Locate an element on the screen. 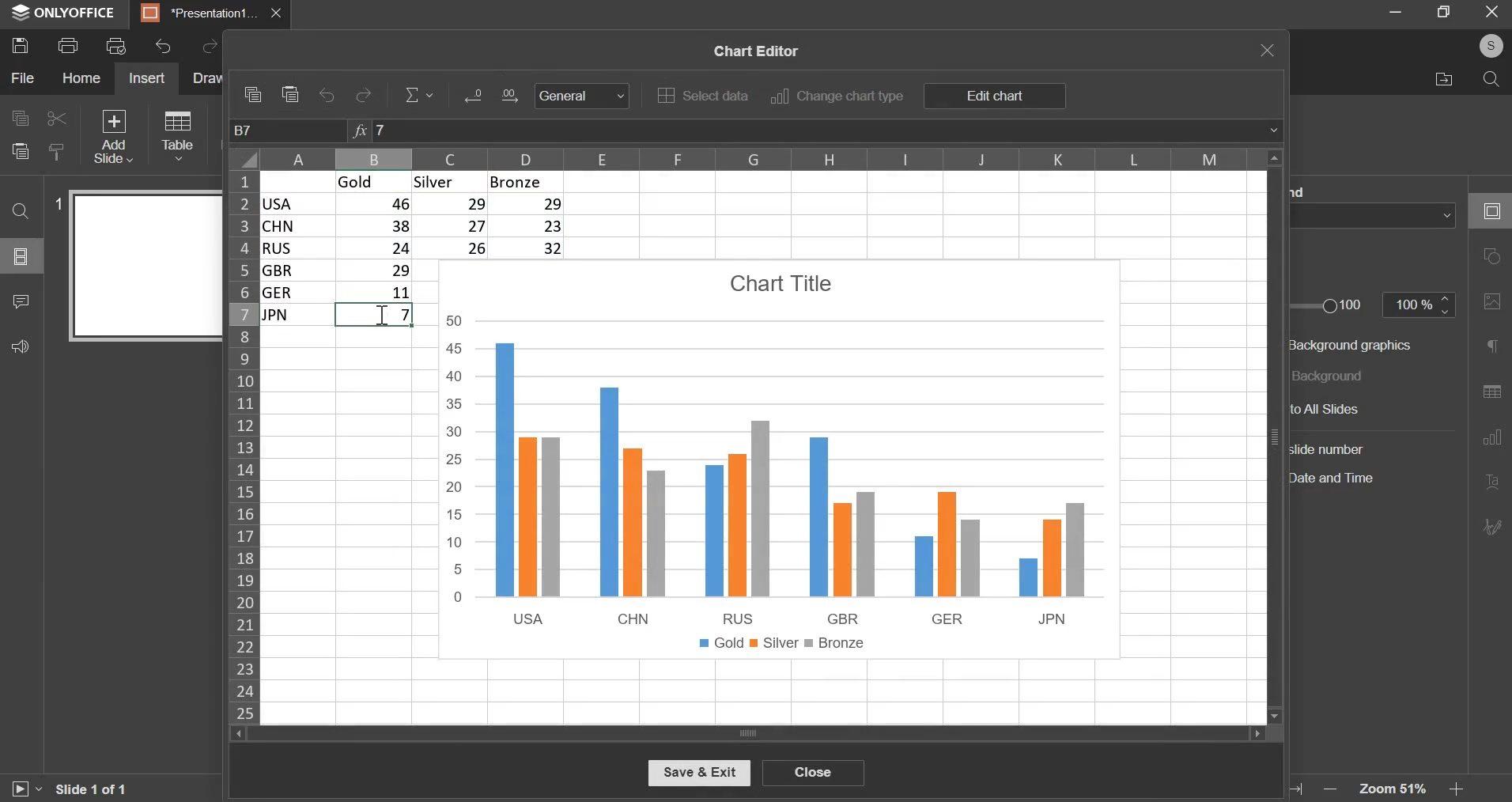 The width and height of the screenshot is (1512, 802). cell name is located at coordinates (289, 131).